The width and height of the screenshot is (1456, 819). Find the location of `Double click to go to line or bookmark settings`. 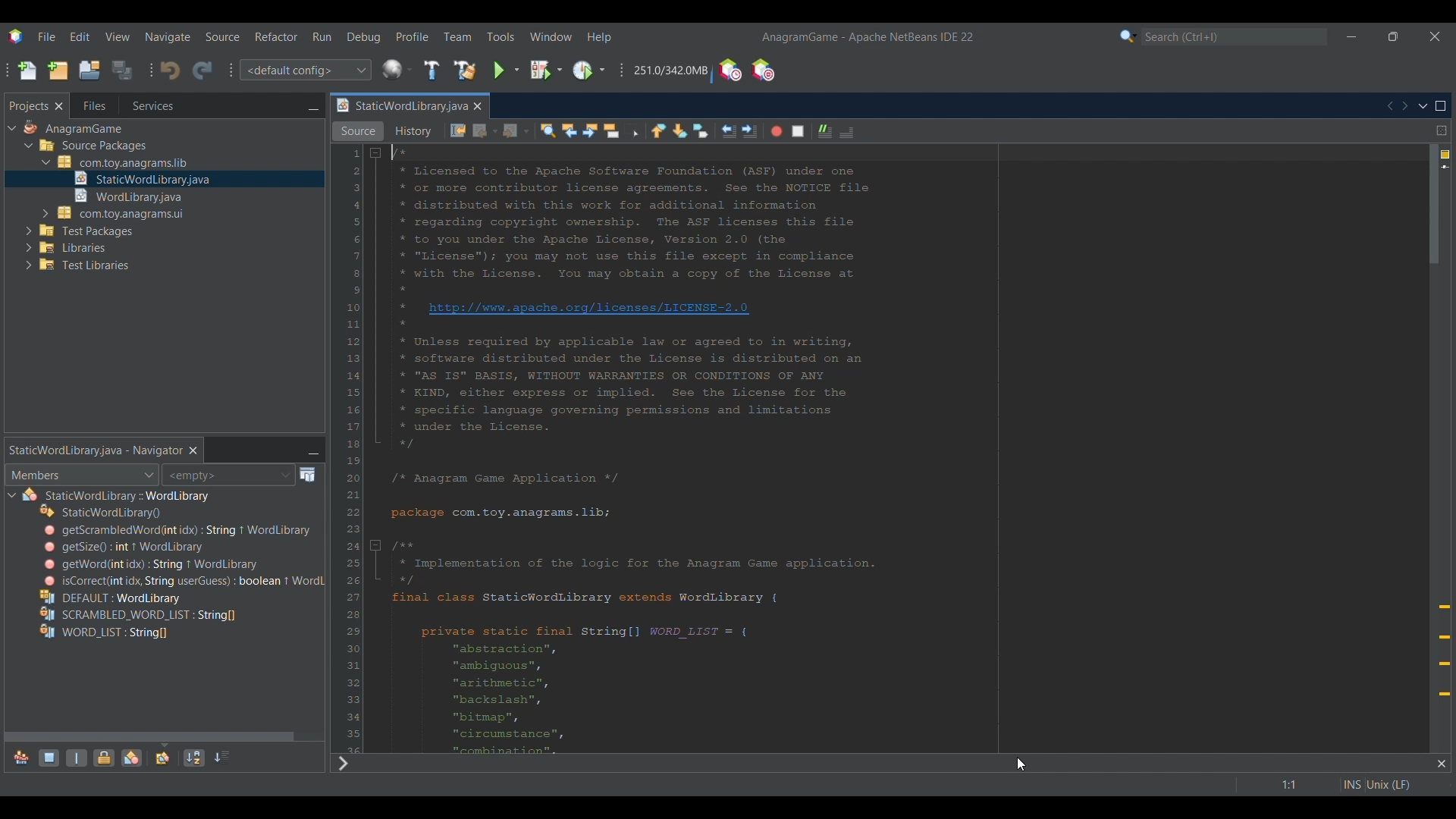

Double click to go to line or bookmark settings is located at coordinates (1303, 785).